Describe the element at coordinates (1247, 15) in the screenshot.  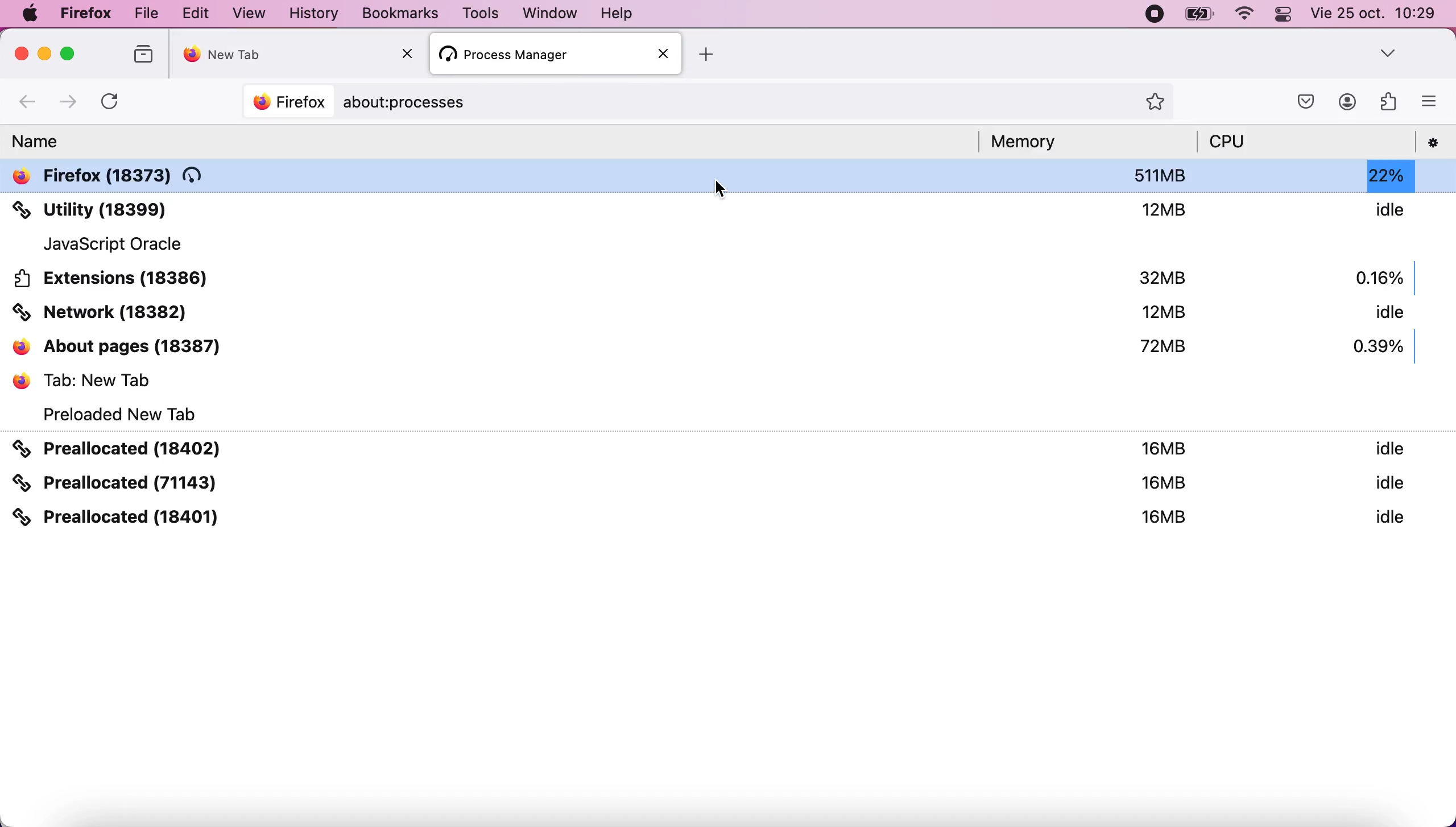
I see `Wifi` at that location.